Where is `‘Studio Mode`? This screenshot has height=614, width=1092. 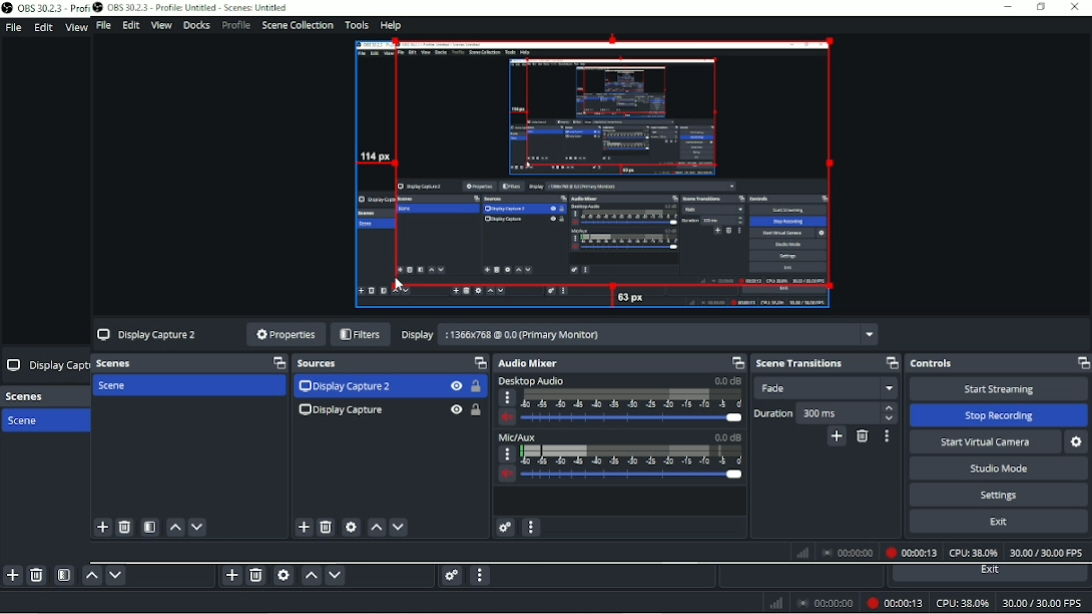 ‘Studio Mode is located at coordinates (997, 467).